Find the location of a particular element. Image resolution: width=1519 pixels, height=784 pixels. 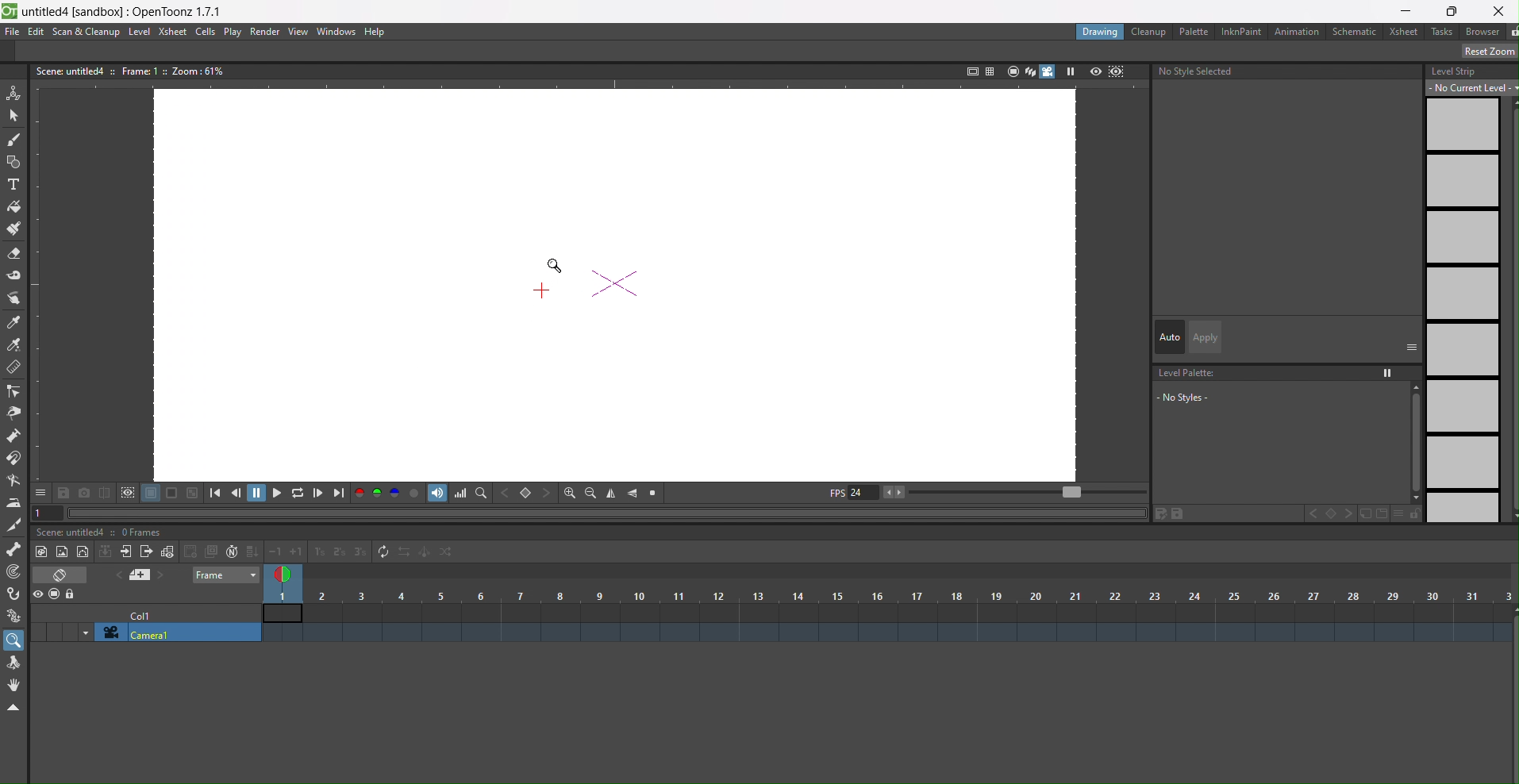

file name is located at coordinates (124, 10).